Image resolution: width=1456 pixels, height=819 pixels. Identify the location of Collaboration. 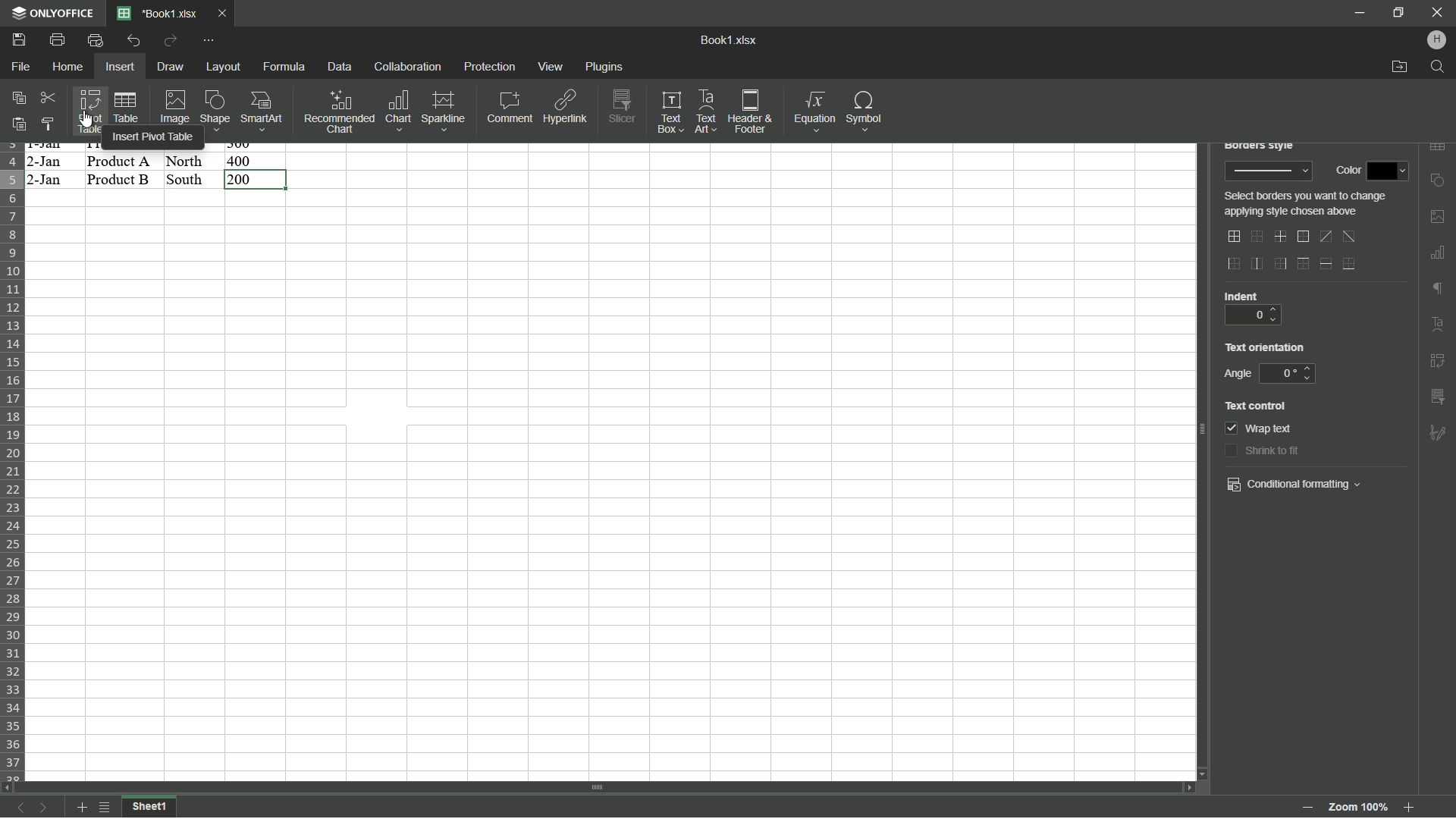
(406, 67).